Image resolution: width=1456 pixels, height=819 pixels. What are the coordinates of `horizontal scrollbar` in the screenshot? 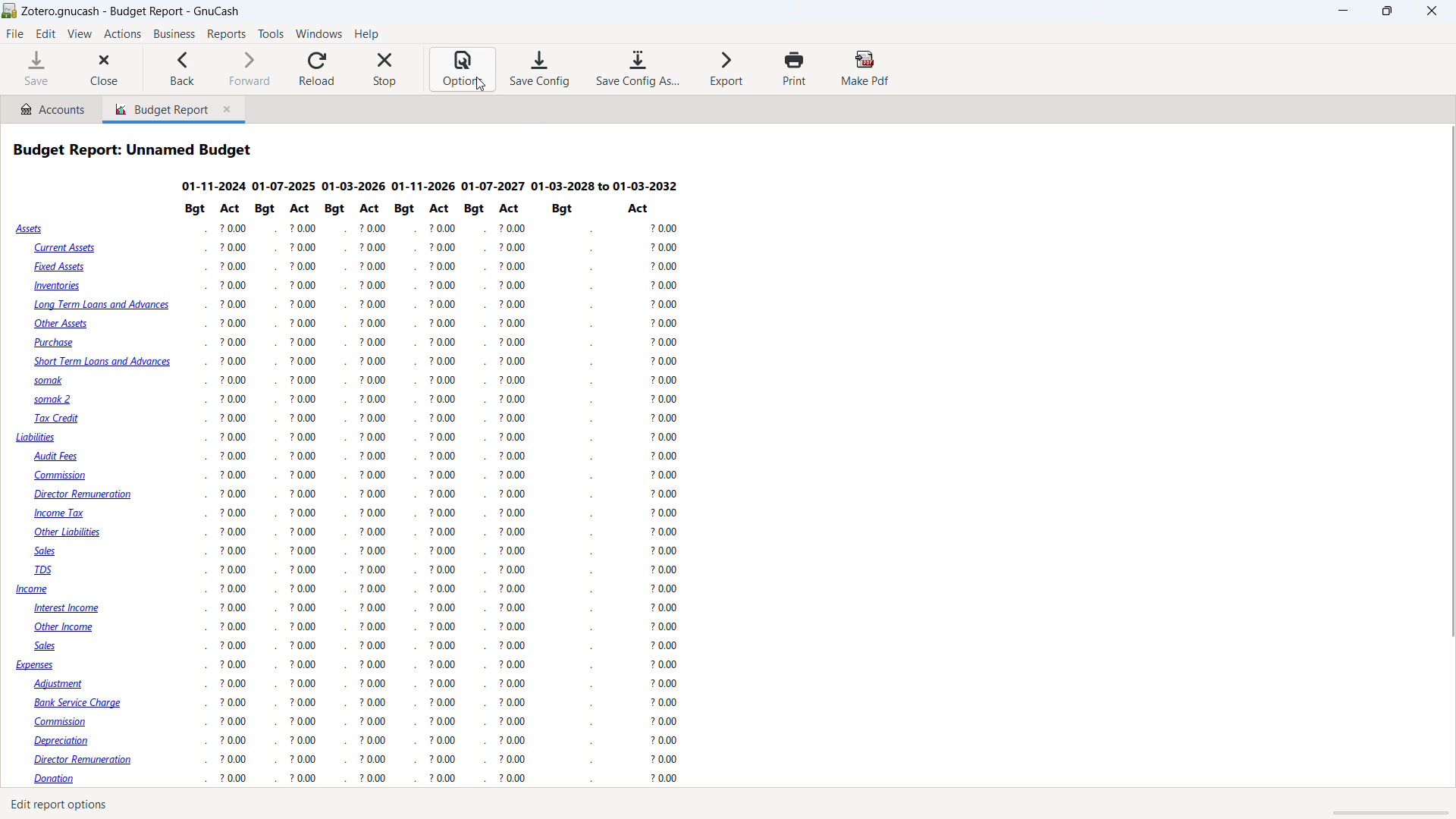 It's located at (1382, 813).